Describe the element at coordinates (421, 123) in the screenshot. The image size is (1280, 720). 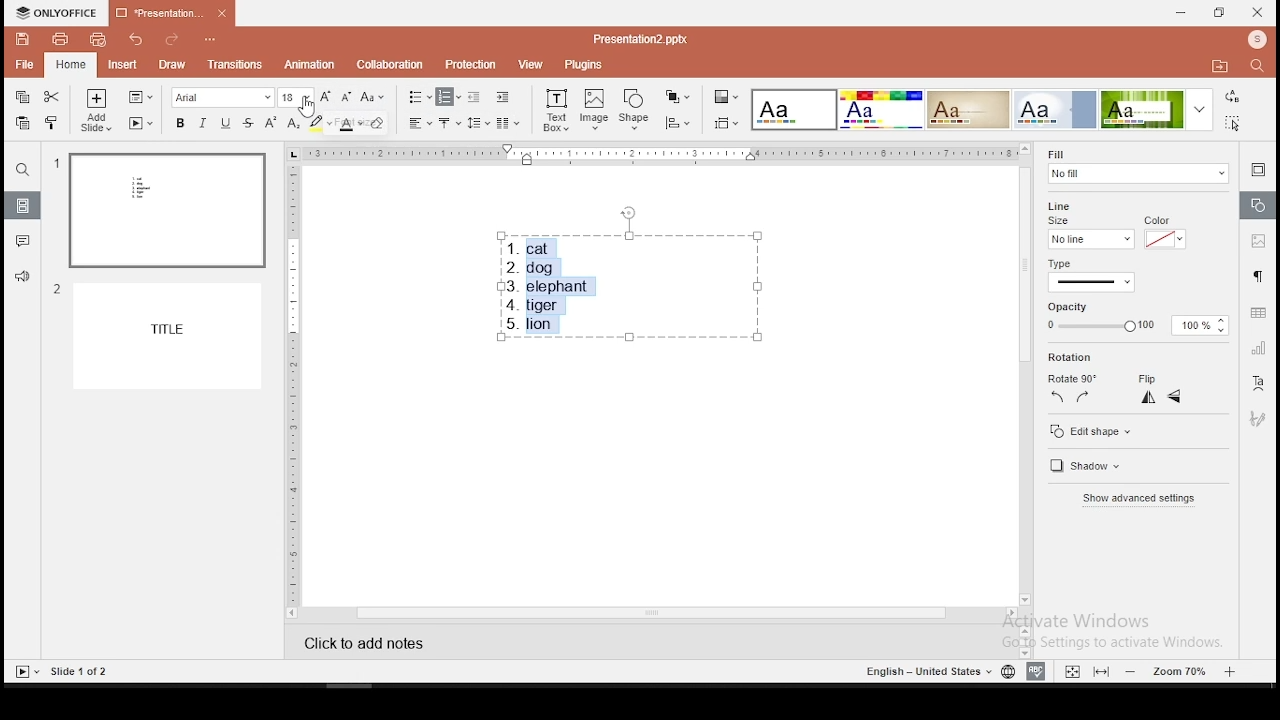
I see `horizontal align` at that location.